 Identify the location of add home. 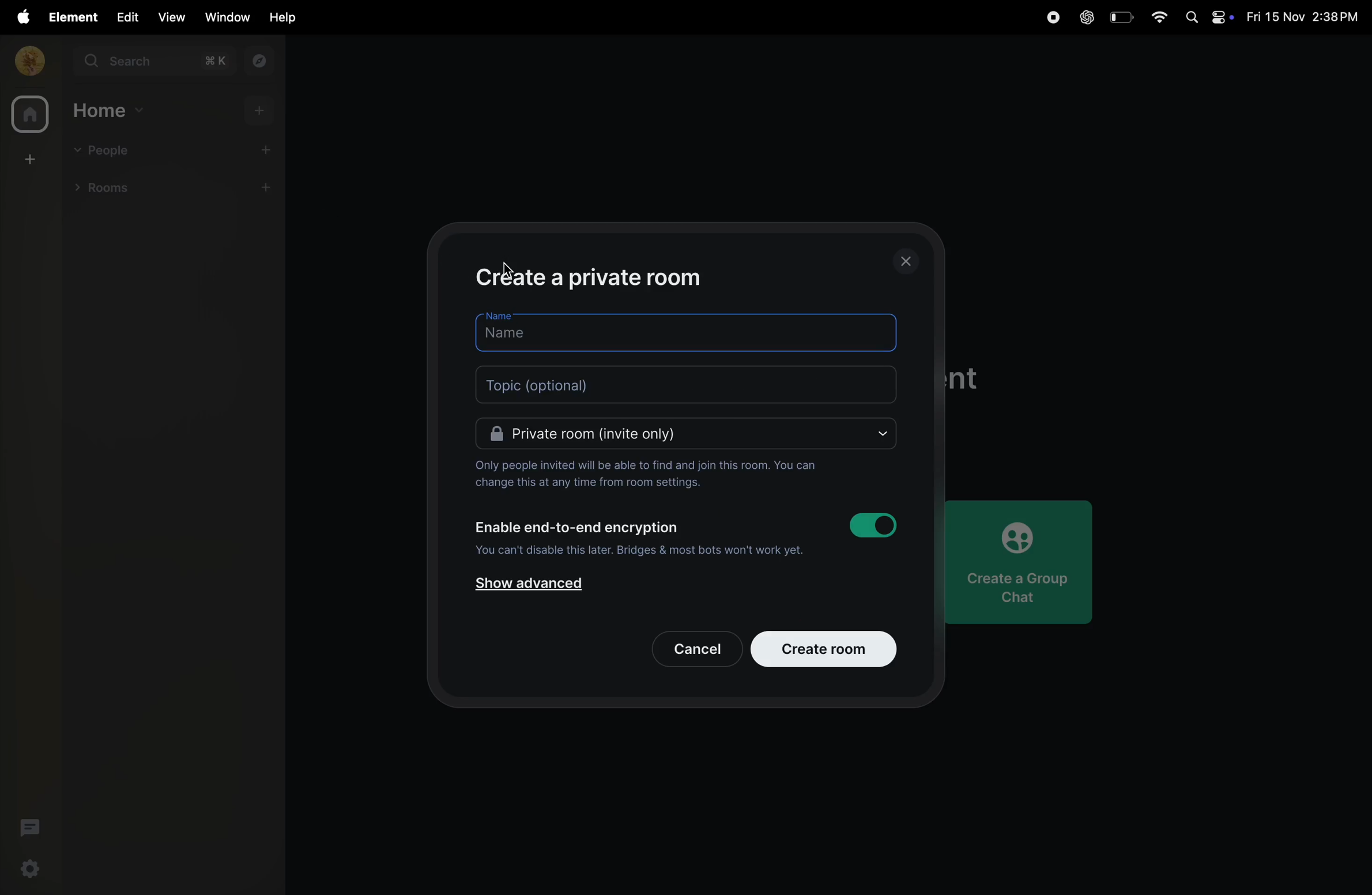
(262, 110).